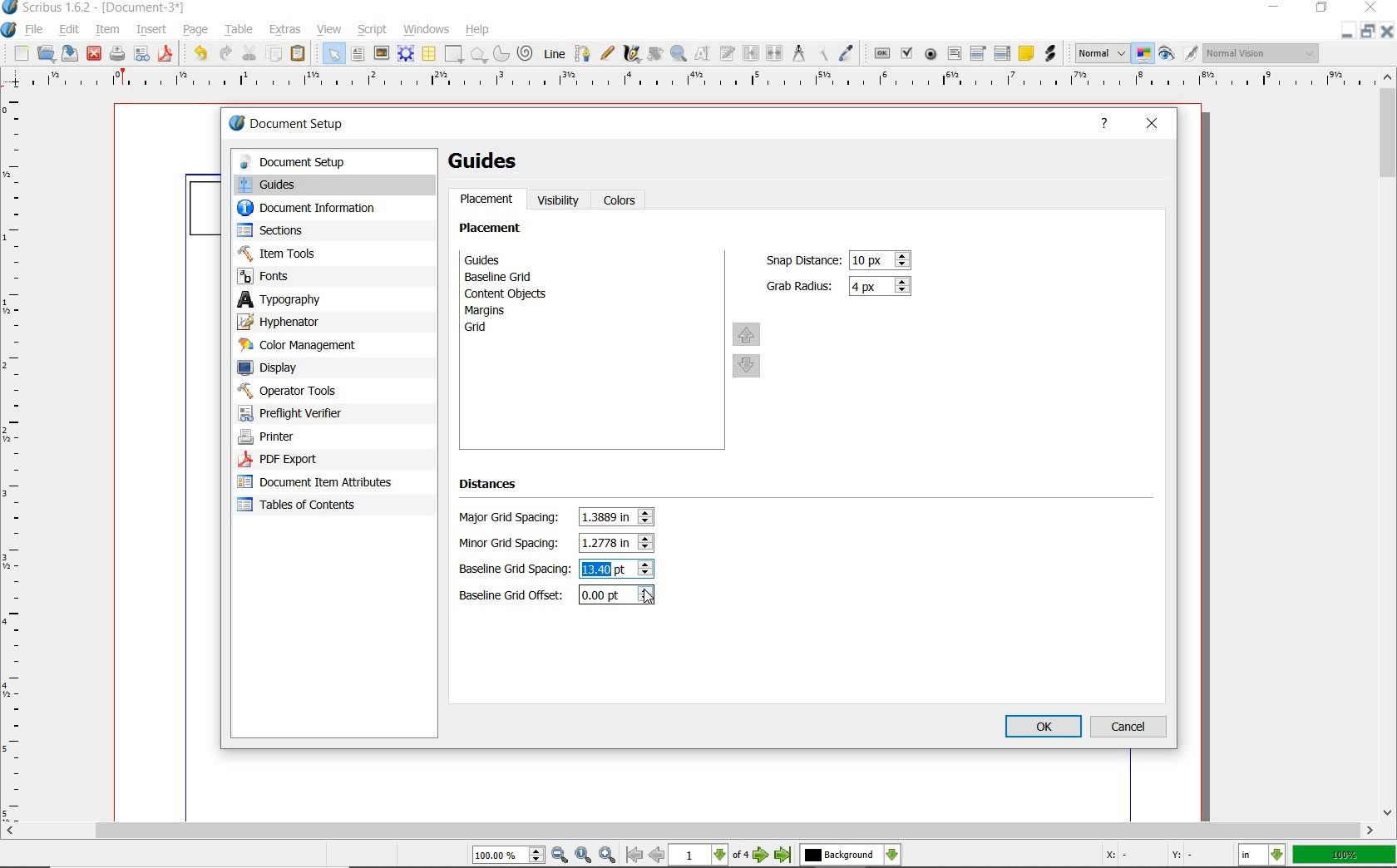 The image size is (1397, 868). I want to click on script, so click(373, 29).